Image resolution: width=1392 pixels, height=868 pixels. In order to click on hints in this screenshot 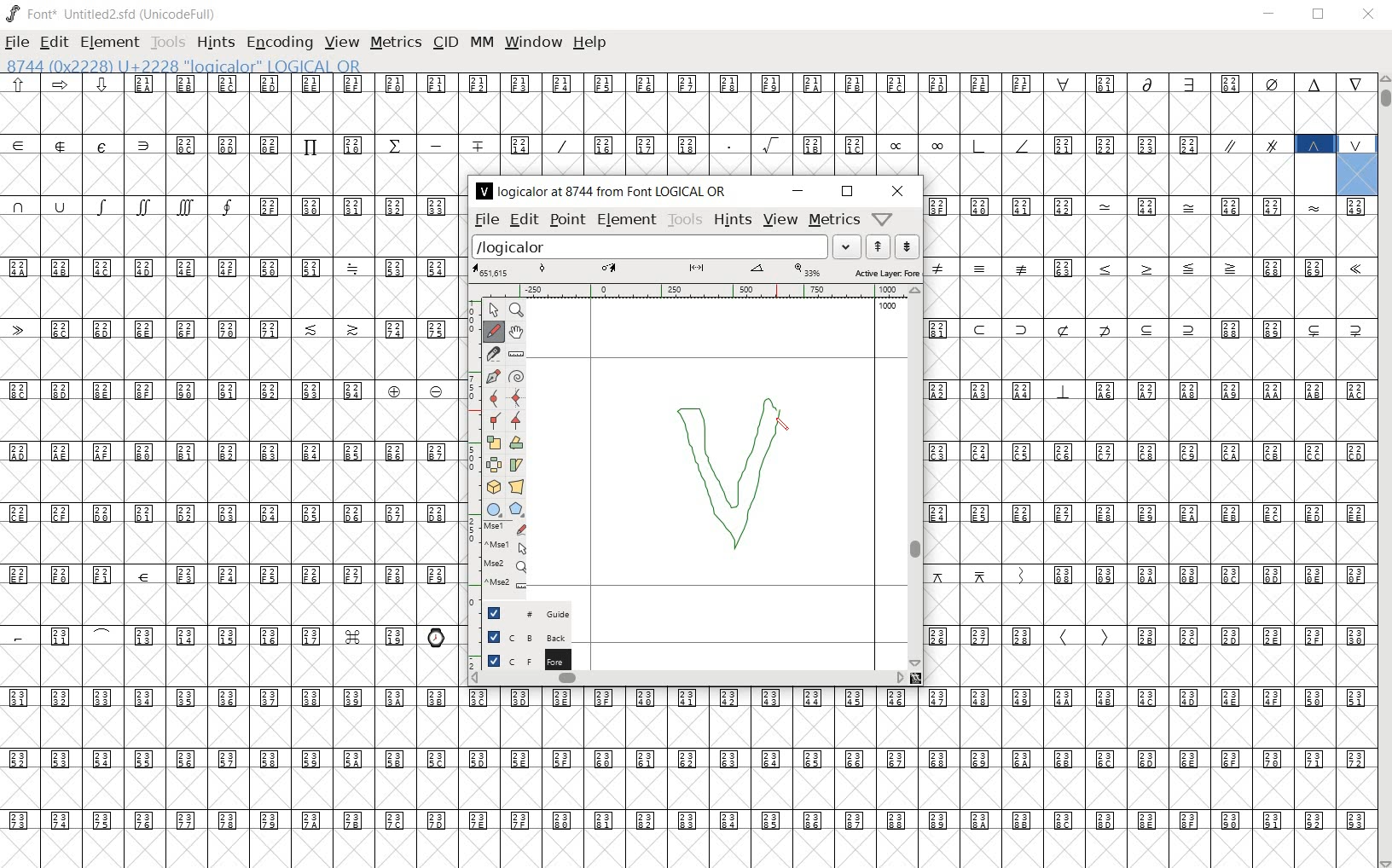, I will do `click(214, 44)`.